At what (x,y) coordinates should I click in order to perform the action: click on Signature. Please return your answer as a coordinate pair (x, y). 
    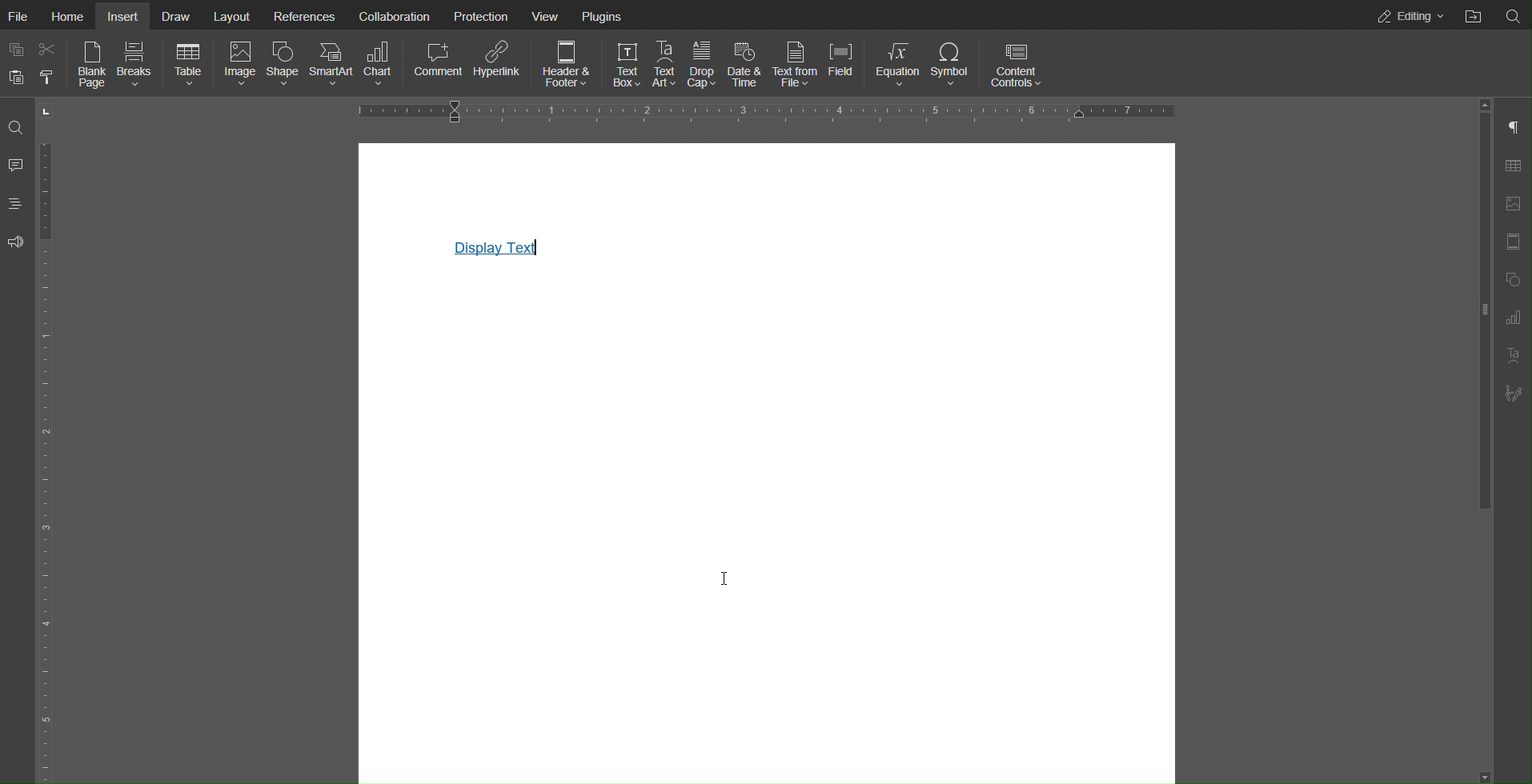
    Looking at the image, I should click on (1514, 393).